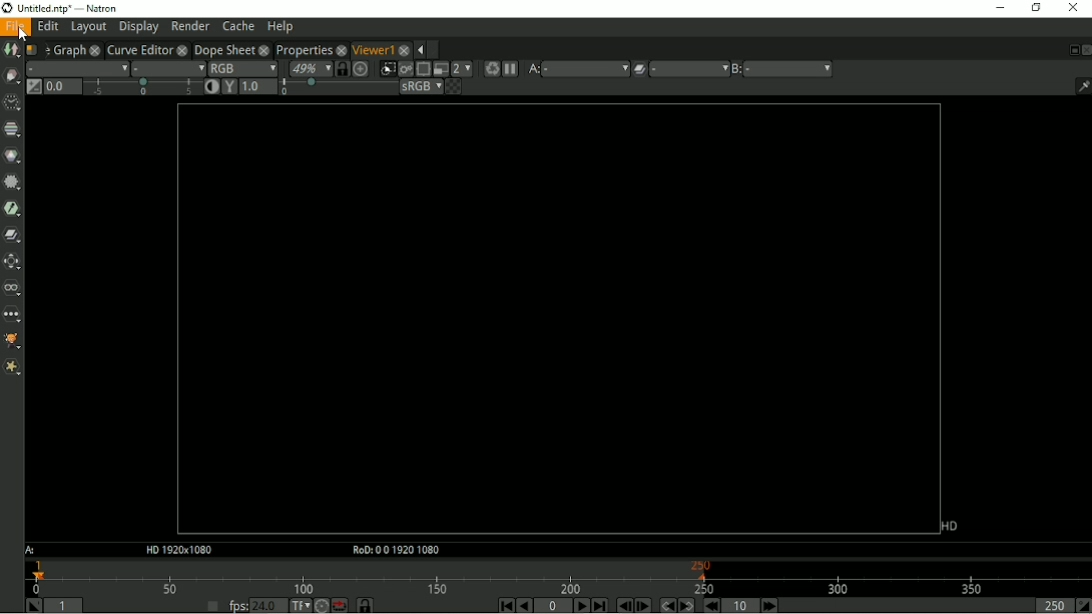 The height and width of the screenshot is (614, 1092). Describe the element at coordinates (419, 50) in the screenshot. I see `Collapse` at that location.